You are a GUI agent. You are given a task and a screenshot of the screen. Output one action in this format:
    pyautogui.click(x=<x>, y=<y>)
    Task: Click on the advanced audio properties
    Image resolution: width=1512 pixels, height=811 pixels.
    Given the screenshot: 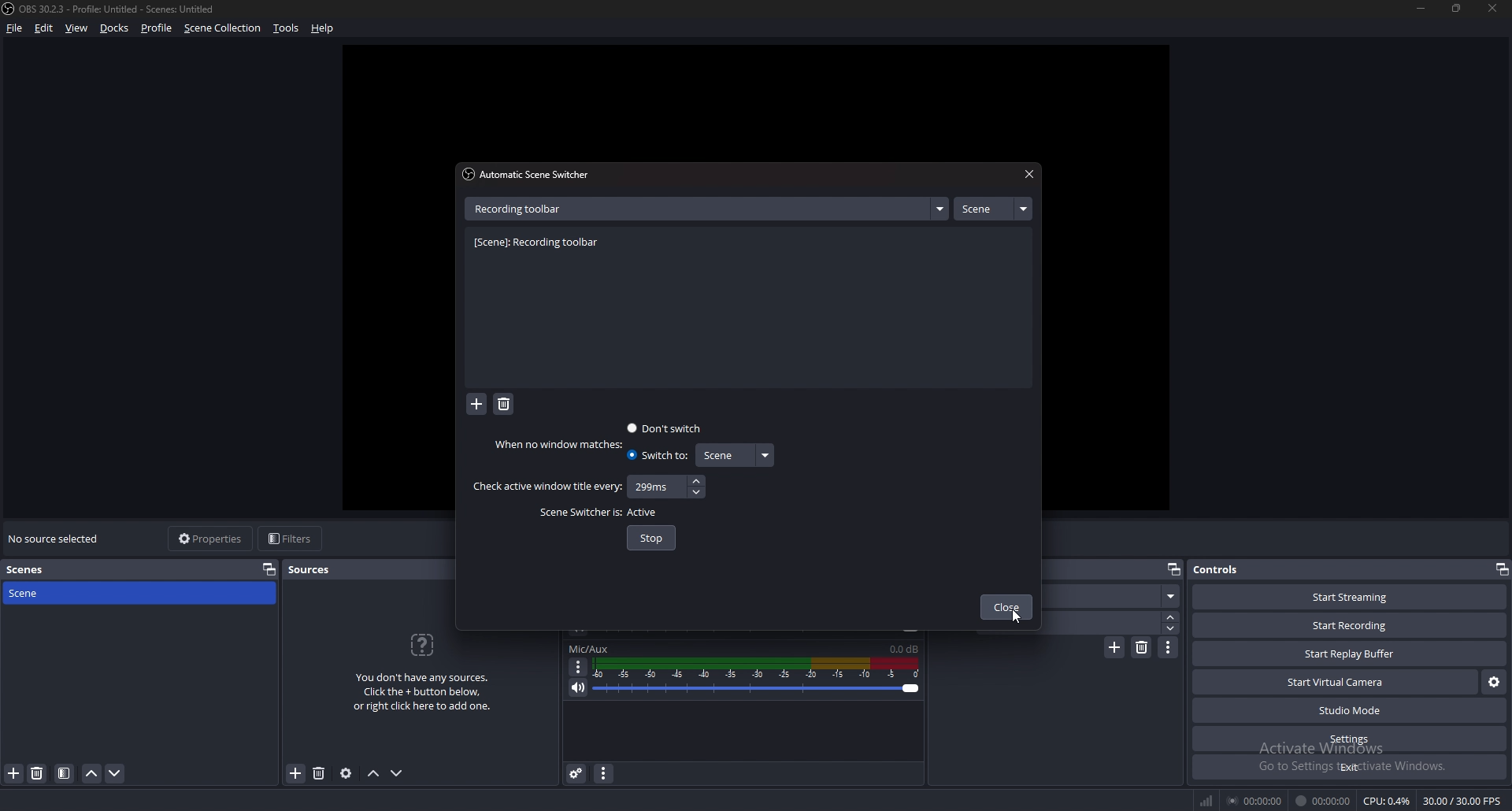 What is the action you would take?
    pyautogui.click(x=576, y=772)
    